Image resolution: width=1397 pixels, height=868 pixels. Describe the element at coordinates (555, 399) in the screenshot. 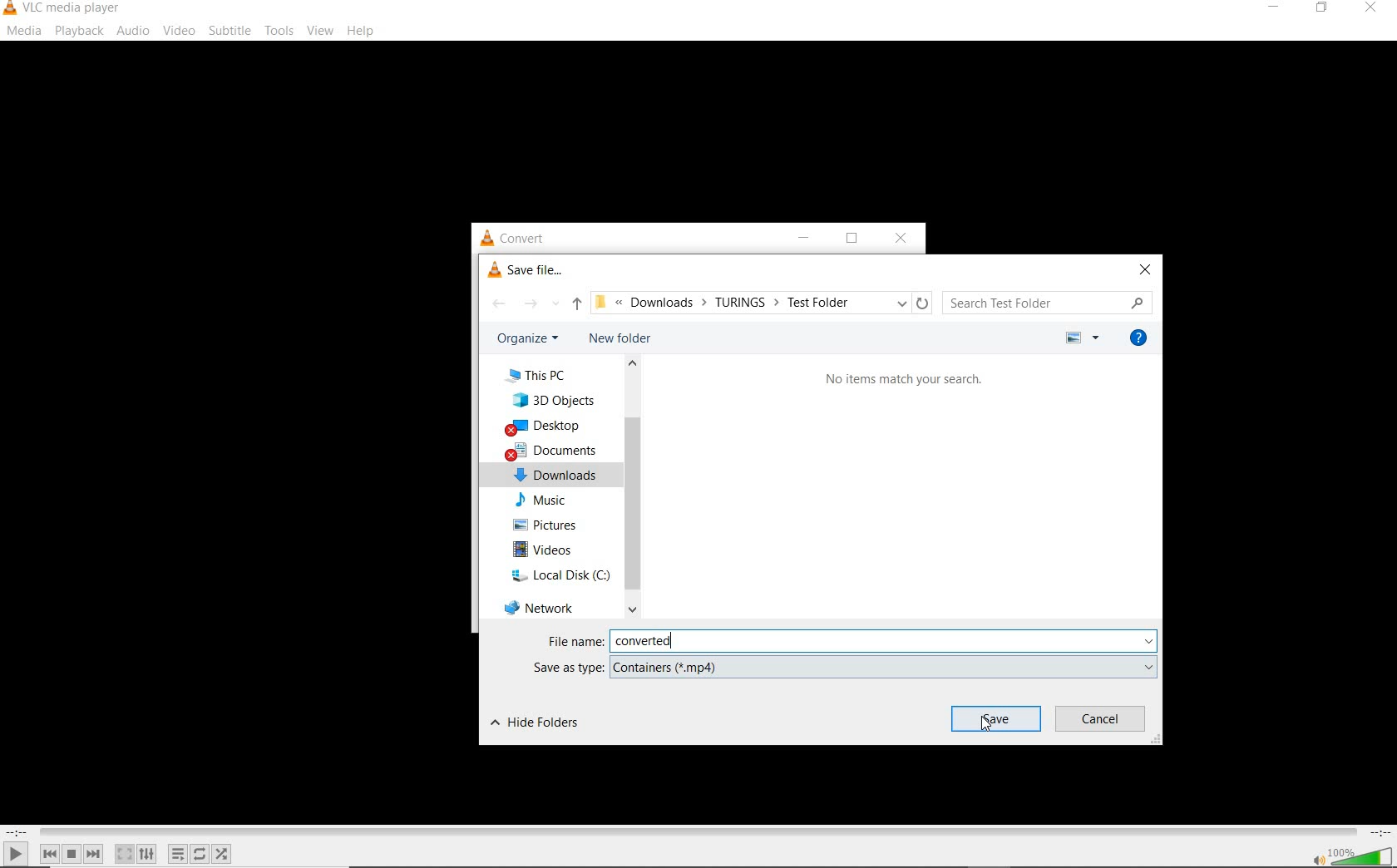

I see `3D Objects` at that location.